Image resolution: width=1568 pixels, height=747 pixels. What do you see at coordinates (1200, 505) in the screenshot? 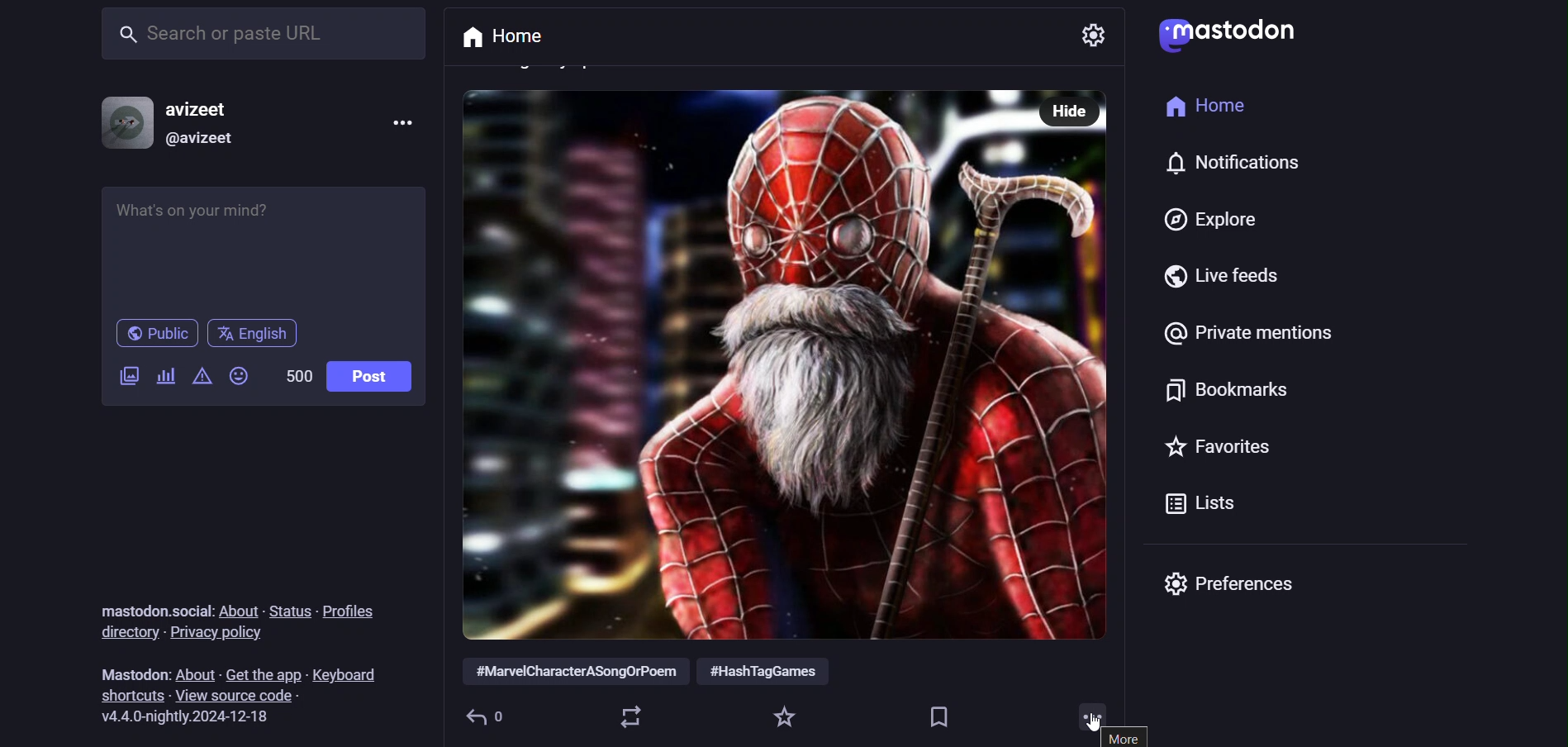
I see `lists` at bounding box center [1200, 505].